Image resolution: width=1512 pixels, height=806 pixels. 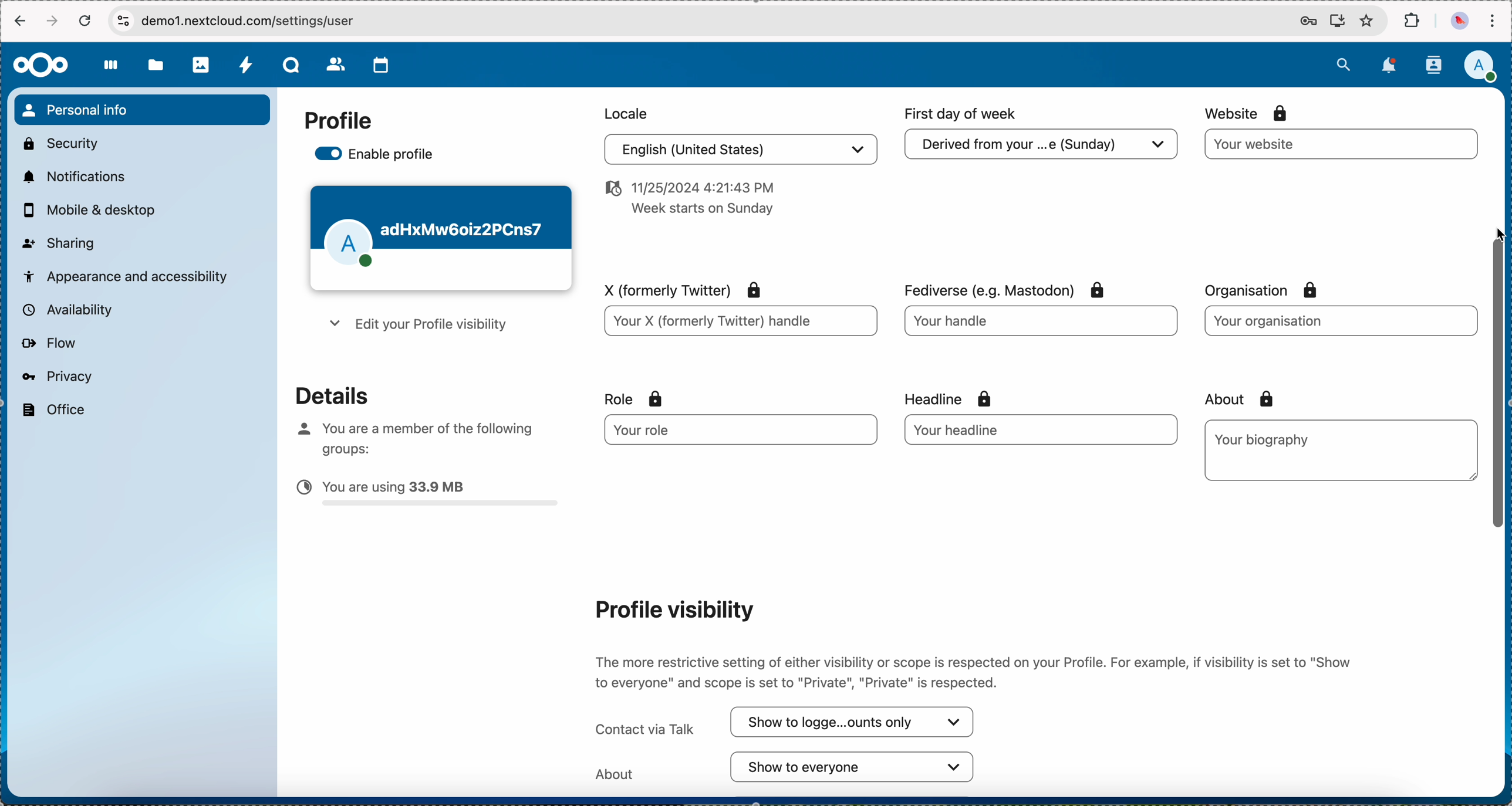 What do you see at coordinates (56, 376) in the screenshot?
I see `privacy` at bounding box center [56, 376].